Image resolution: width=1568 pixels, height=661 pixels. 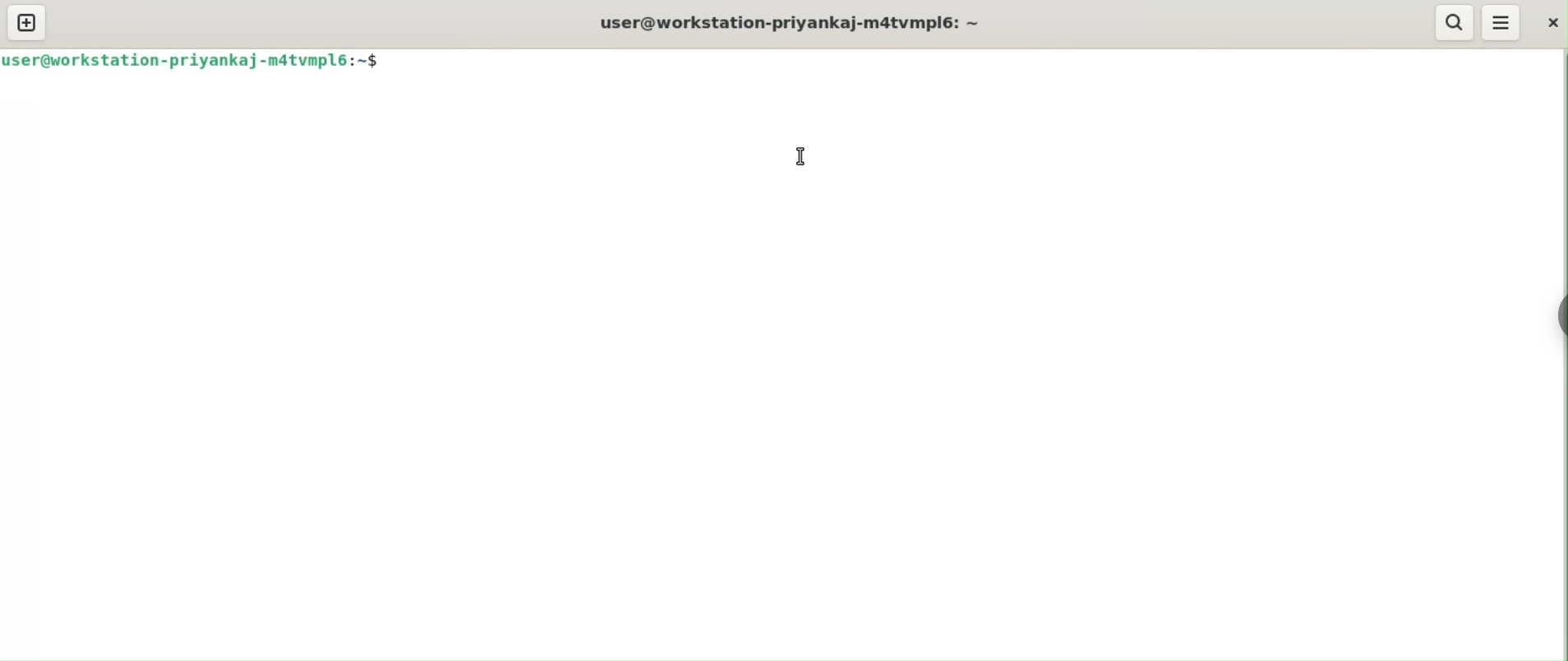 I want to click on new tab, so click(x=26, y=22).